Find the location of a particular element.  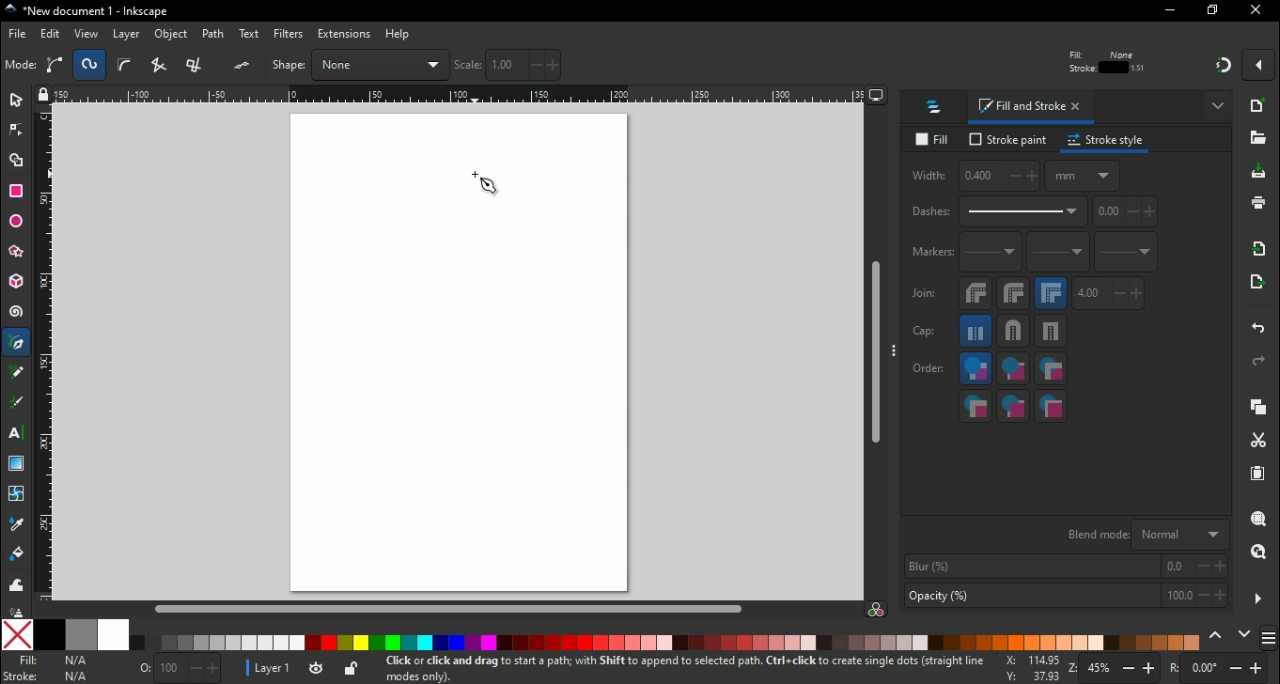

mouse pointer is located at coordinates (485, 181).